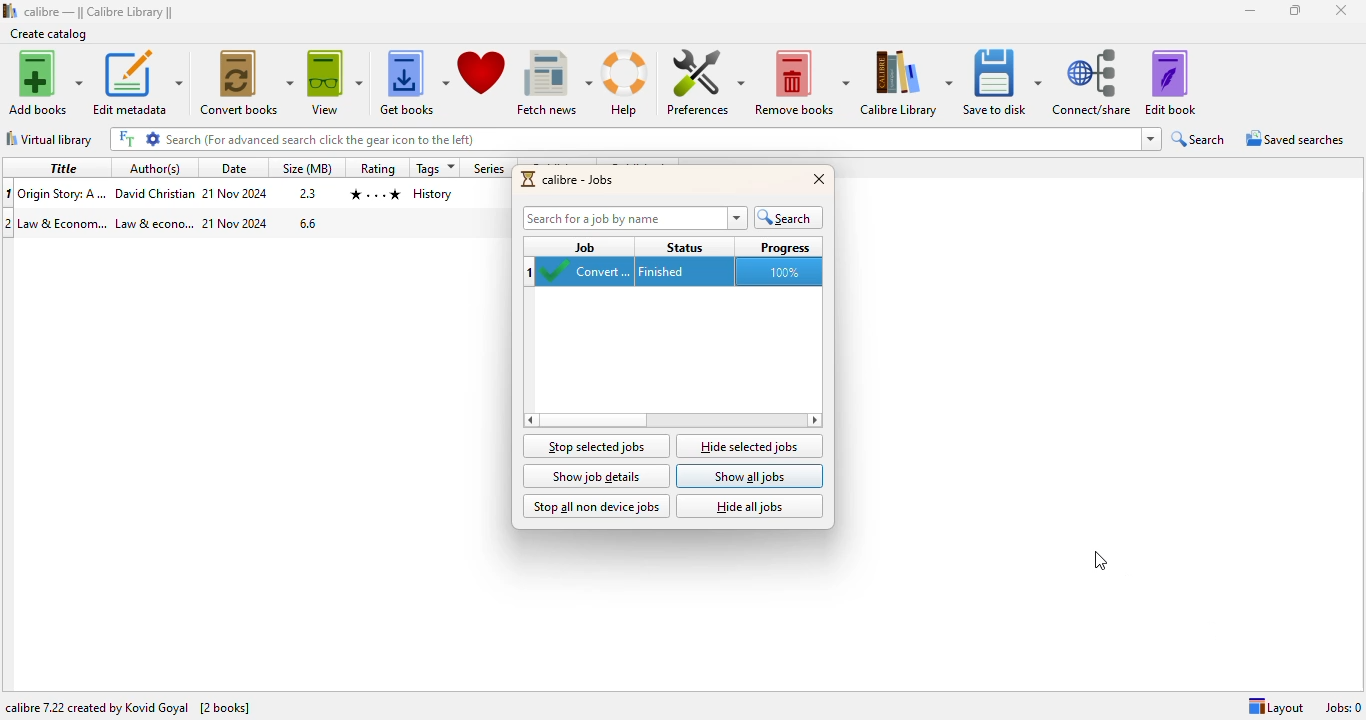 The image size is (1366, 720). What do you see at coordinates (750, 507) in the screenshot?
I see `hide all jobs` at bounding box center [750, 507].